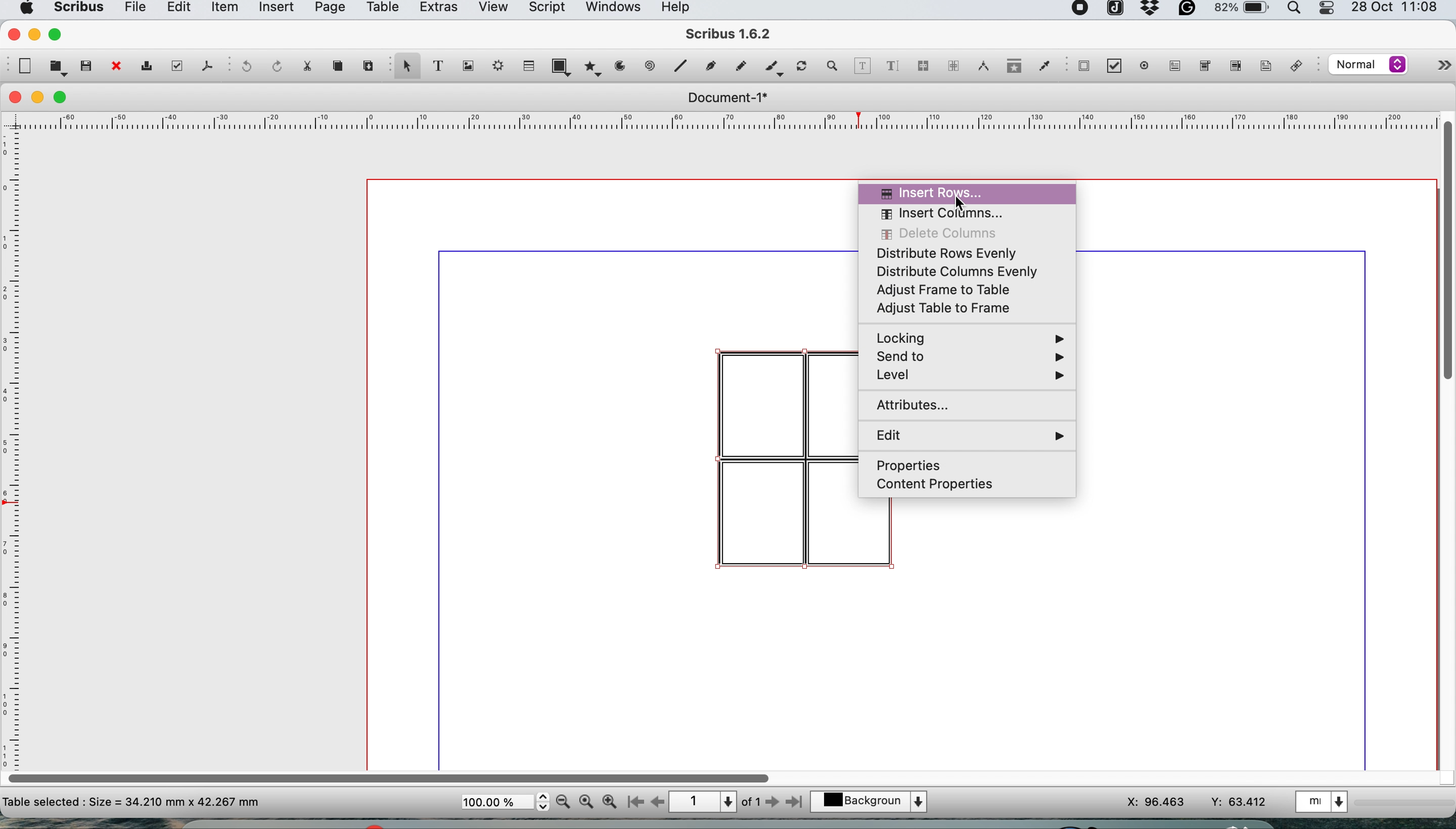 The height and width of the screenshot is (829, 1456). I want to click on go to next page, so click(772, 803).